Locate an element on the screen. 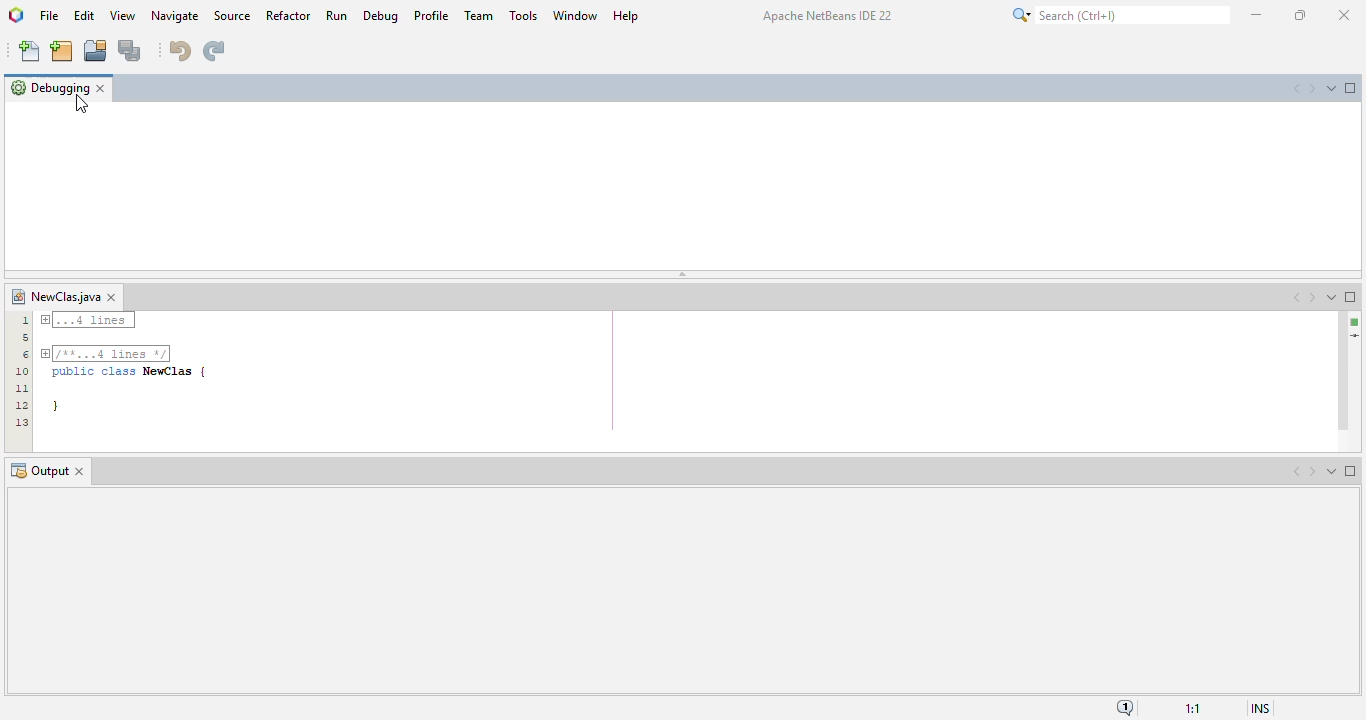 Image resolution: width=1366 pixels, height=720 pixels. file is located at coordinates (50, 15).